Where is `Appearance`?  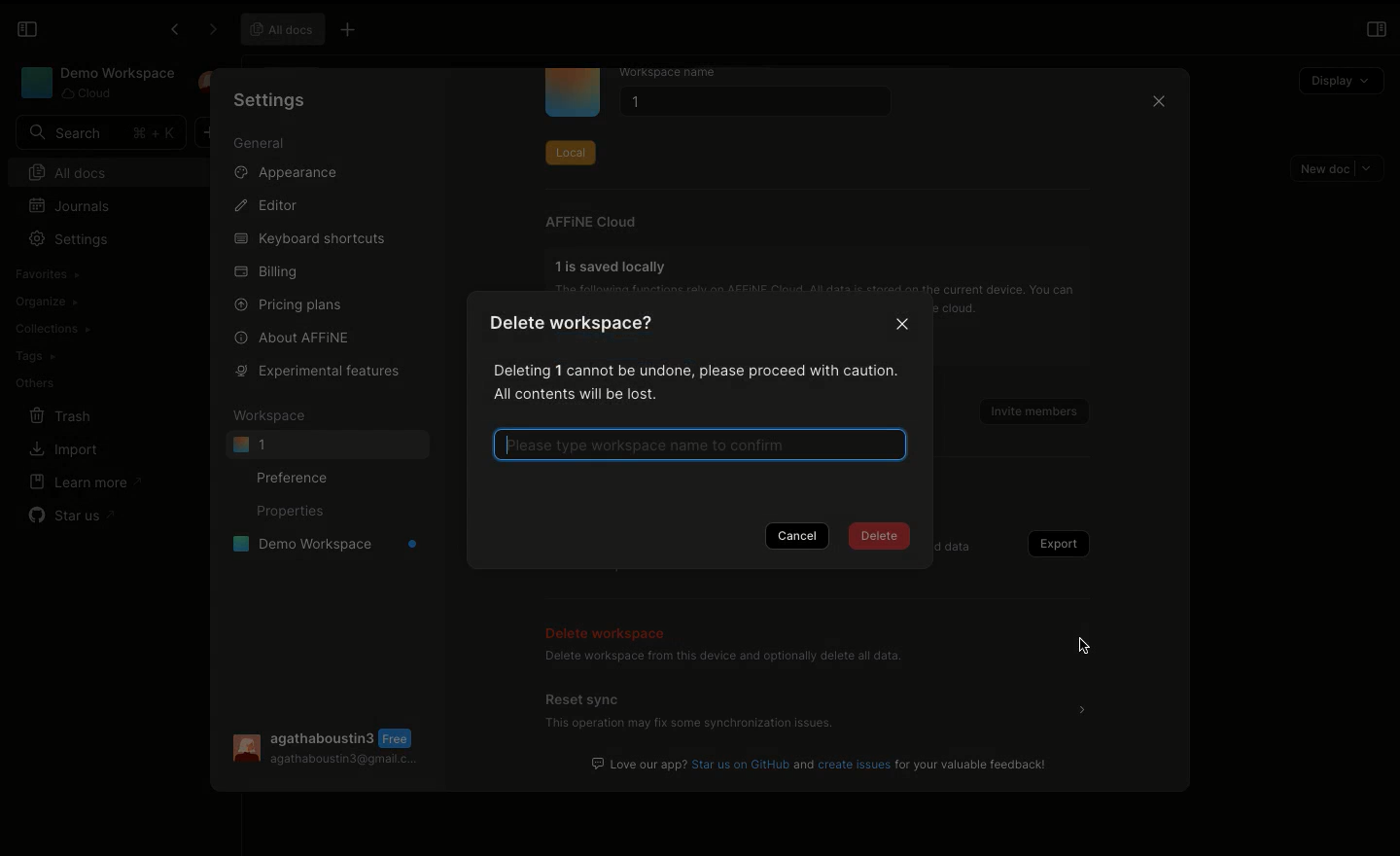
Appearance is located at coordinates (294, 176).